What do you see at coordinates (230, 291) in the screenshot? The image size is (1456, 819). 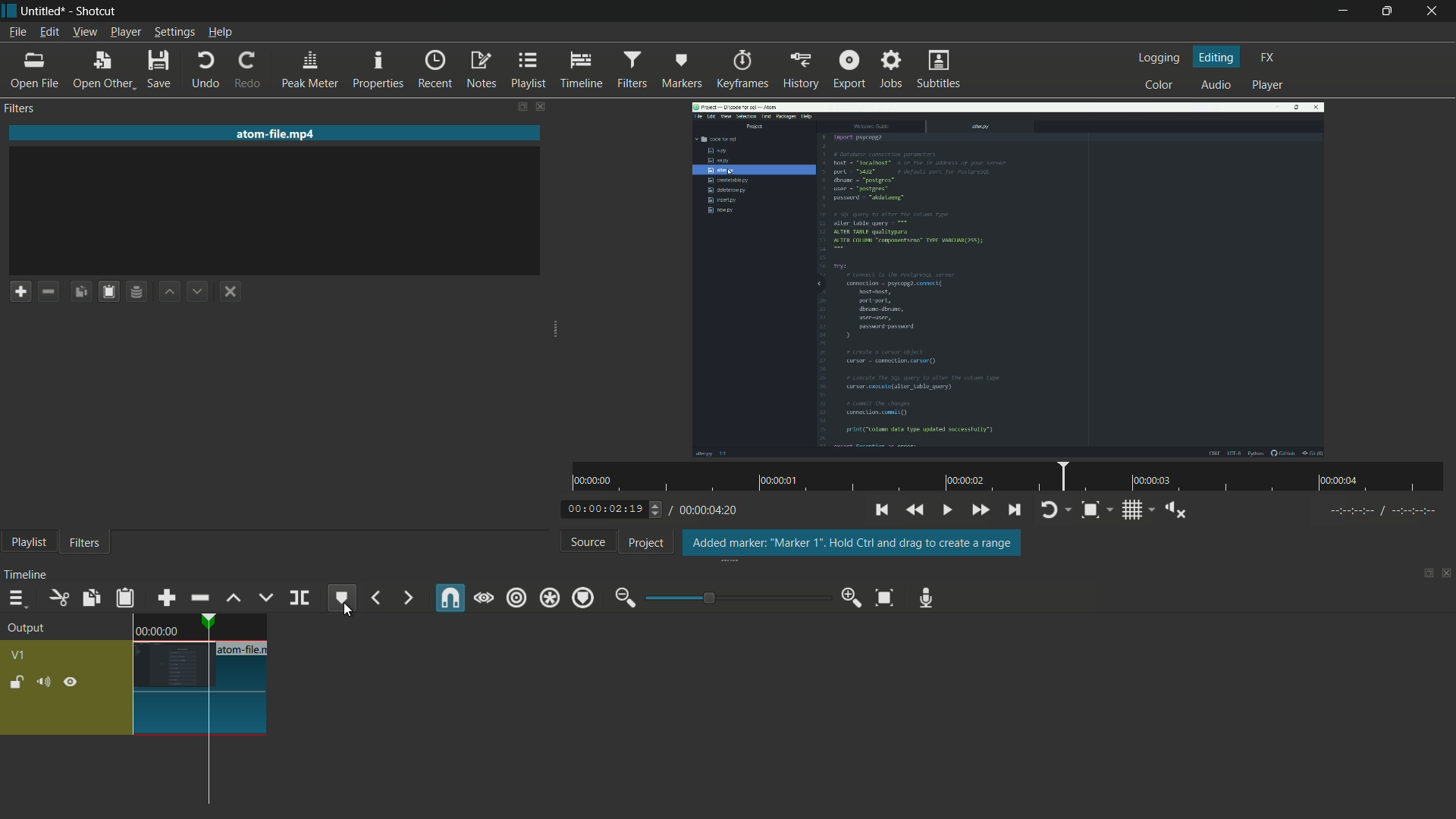 I see `deselect the filter` at bounding box center [230, 291].